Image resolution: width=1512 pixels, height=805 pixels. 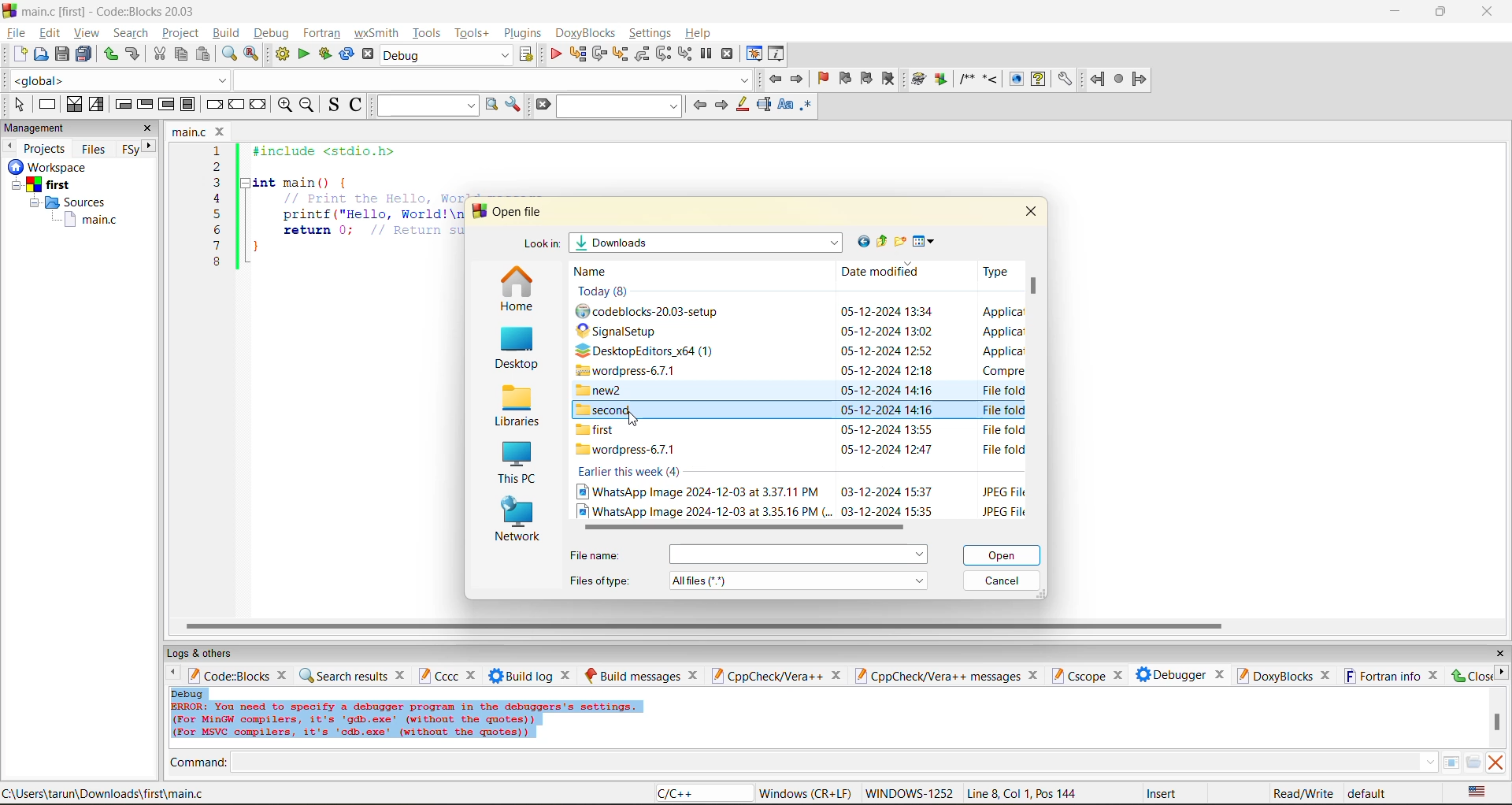 I want to click on counting loop, so click(x=167, y=106).